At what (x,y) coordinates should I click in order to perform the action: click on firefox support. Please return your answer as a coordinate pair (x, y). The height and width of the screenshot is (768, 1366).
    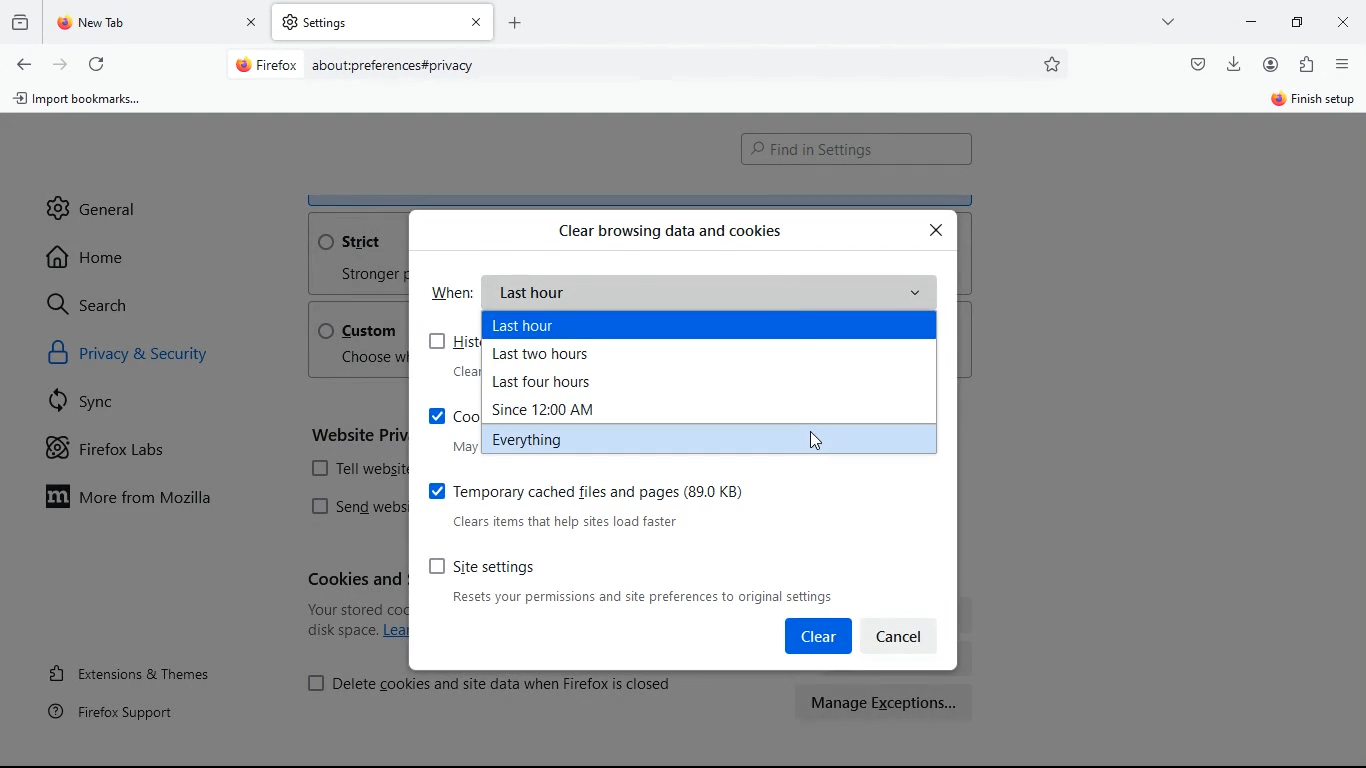
    Looking at the image, I should click on (124, 711).